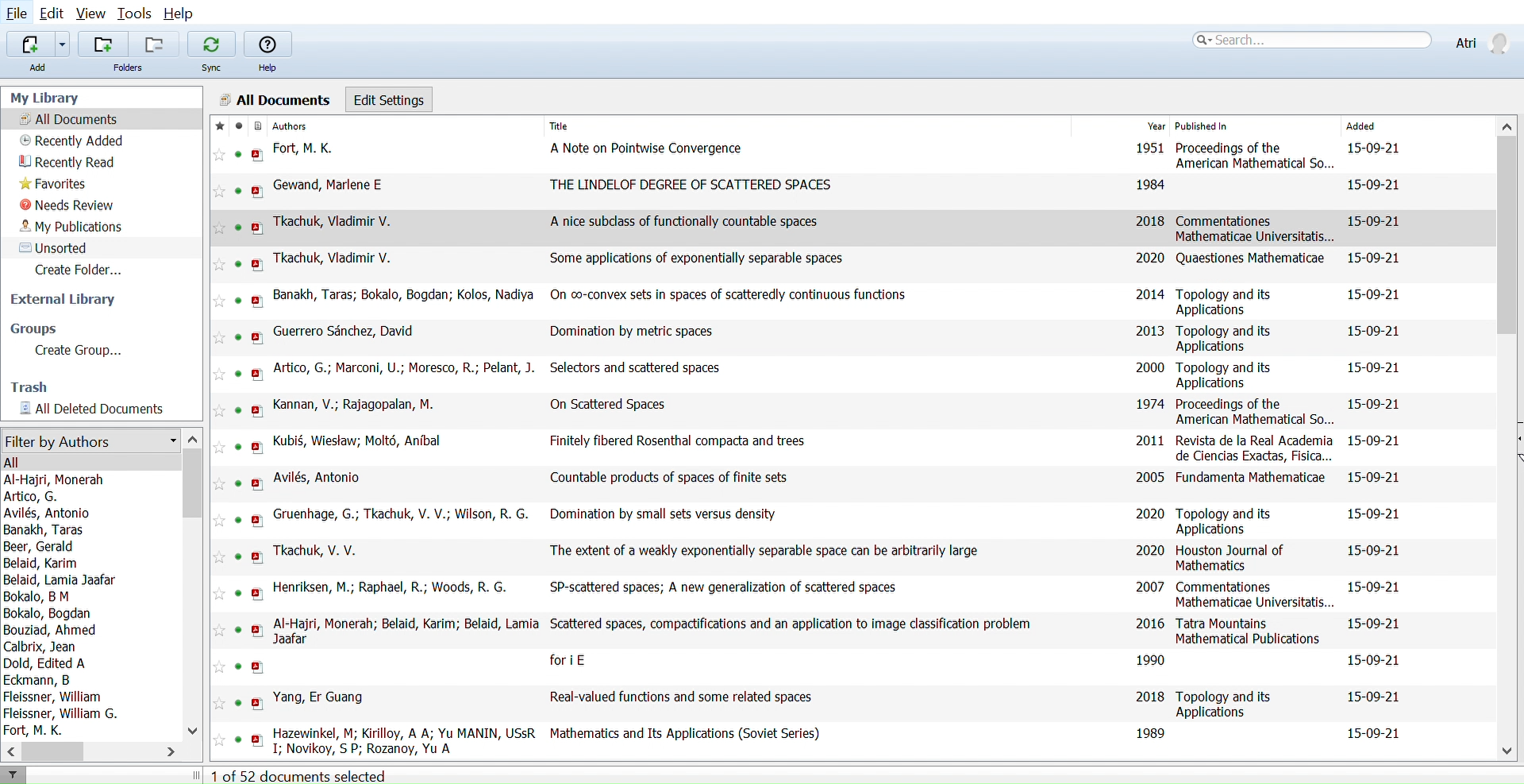  I want to click on Publisher, so click(1236, 126).